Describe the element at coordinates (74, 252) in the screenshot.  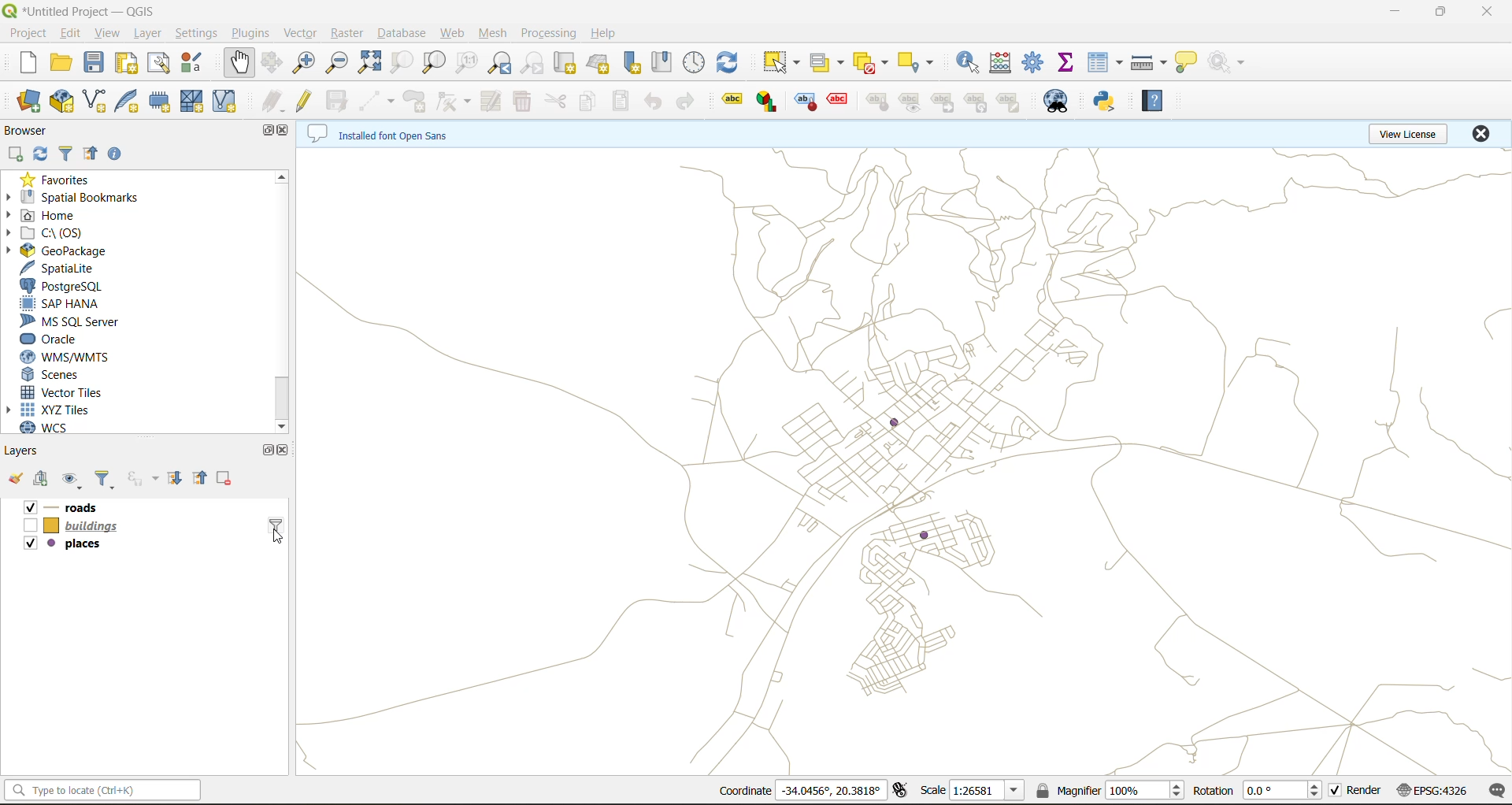
I see `geopackage` at that location.